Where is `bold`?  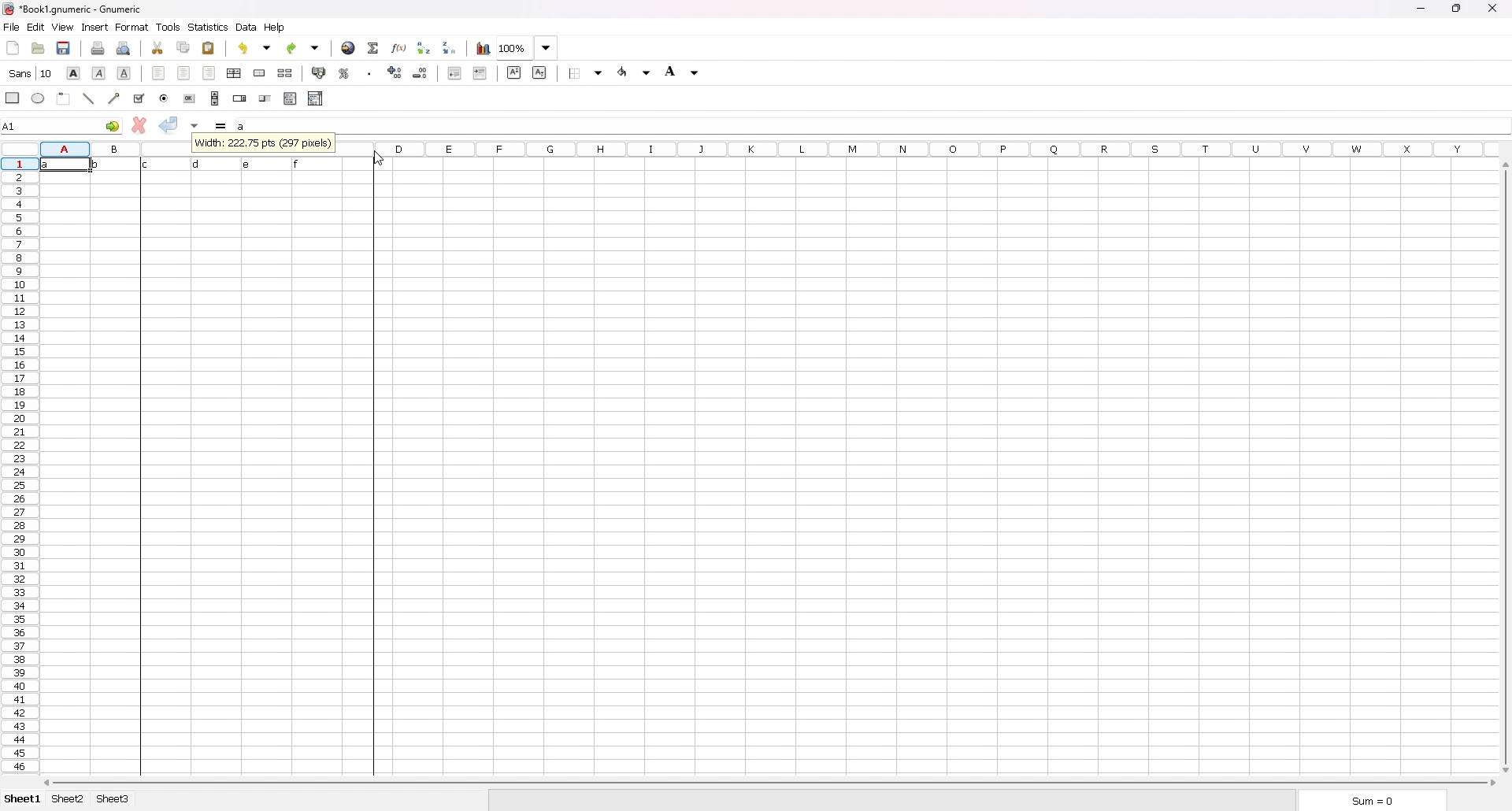 bold is located at coordinates (74, 72).